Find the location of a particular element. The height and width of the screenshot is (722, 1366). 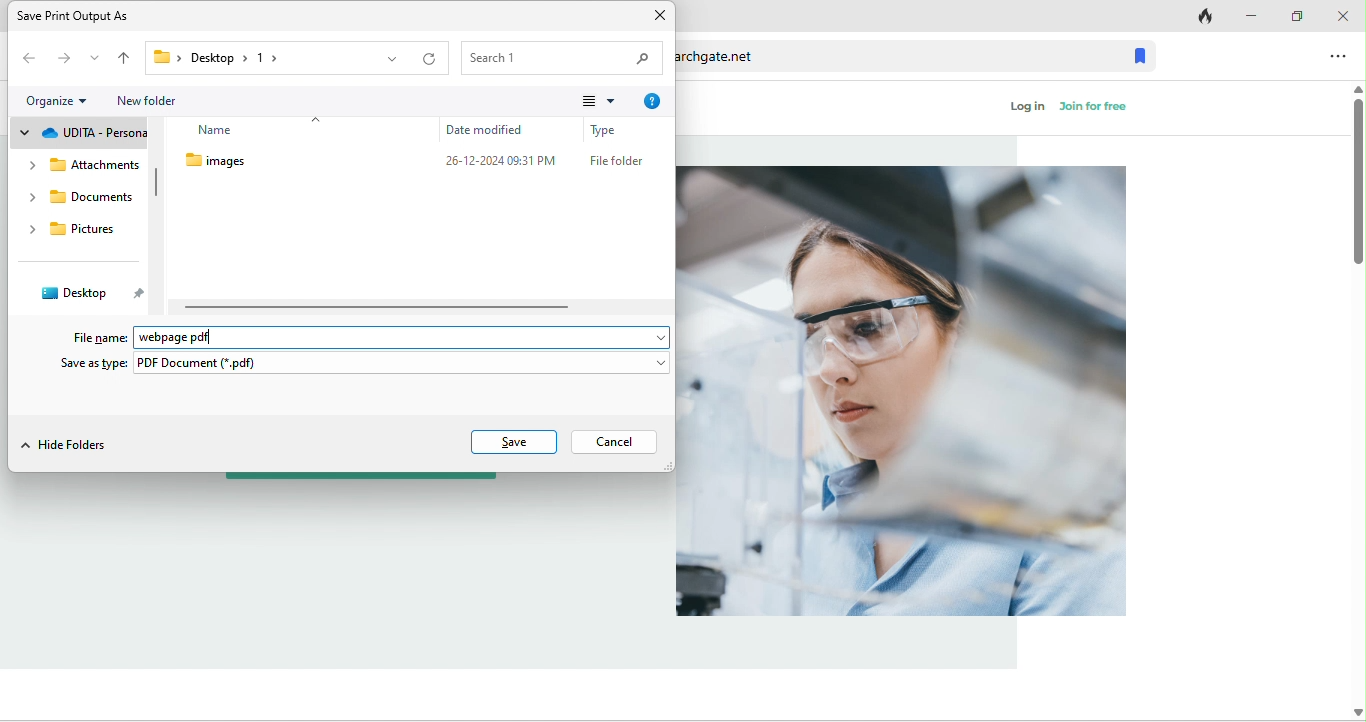

desktop is located at coordinates (89, 295).